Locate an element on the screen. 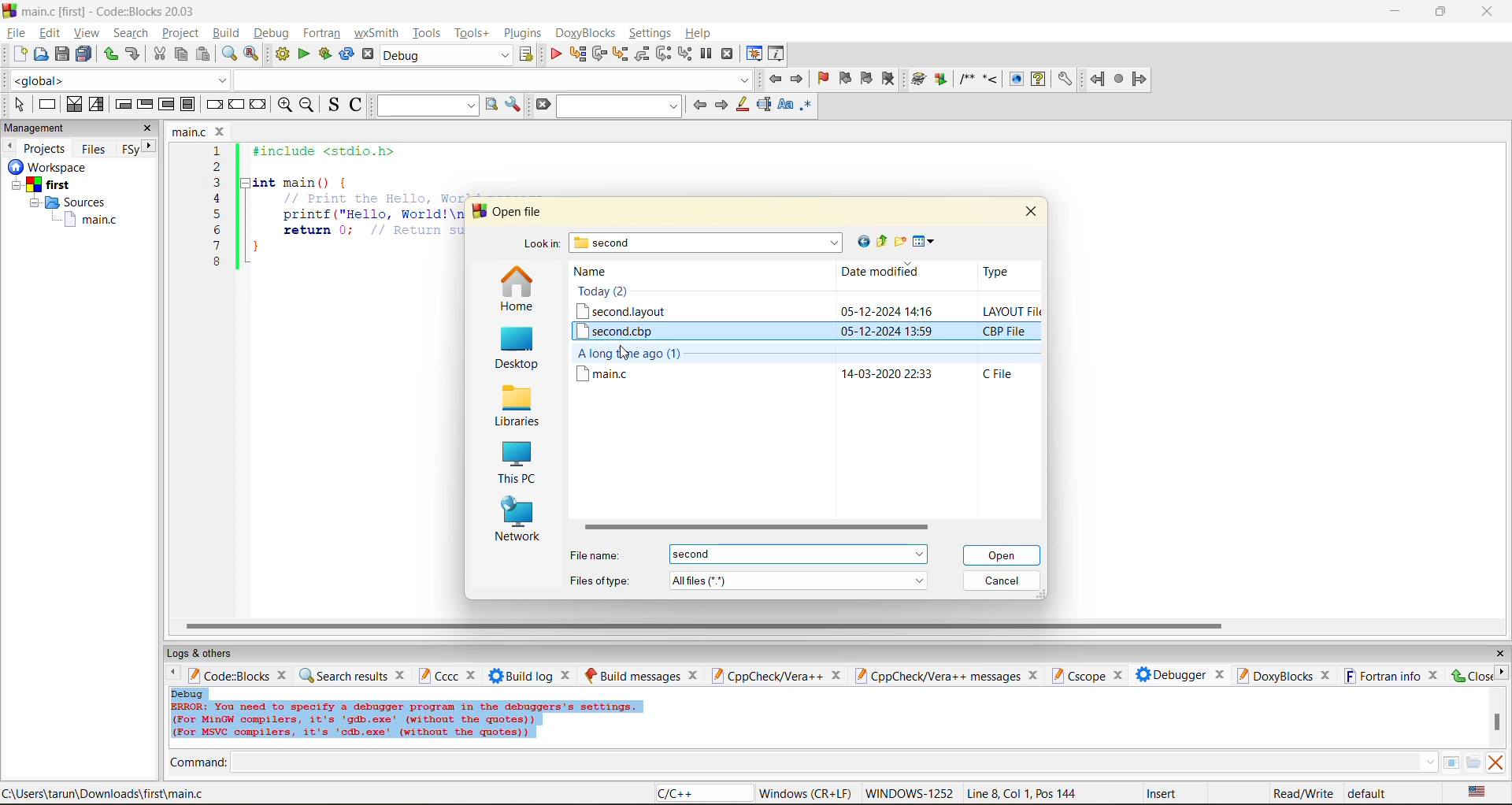 The width and height of the screenshot is (1512, 805). various info is located at coordinates (777, 54).